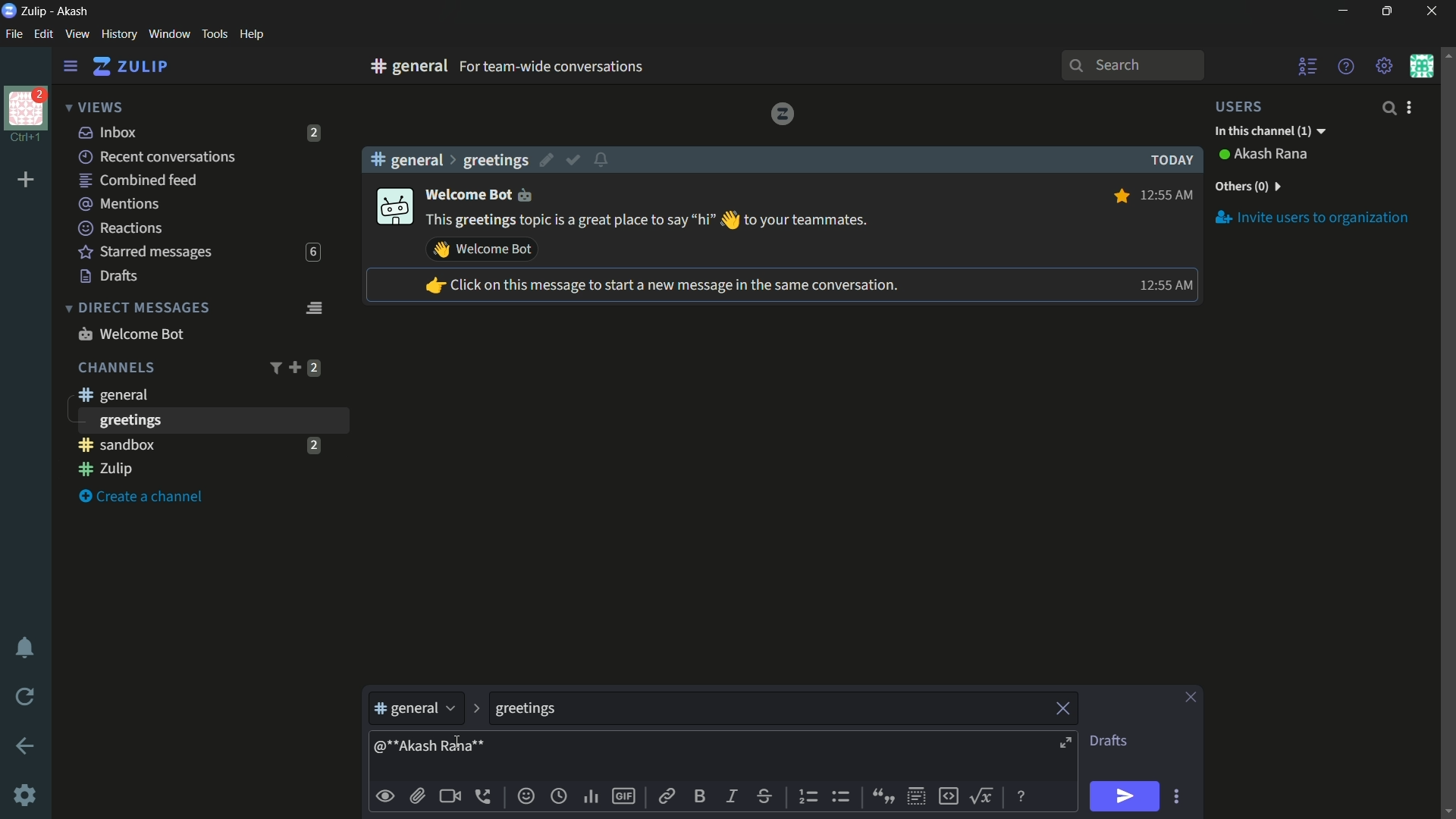  What do you see at coordinates (840, 795) in the screenshot?
I see `underordered list` at bounding box center [840, 795].